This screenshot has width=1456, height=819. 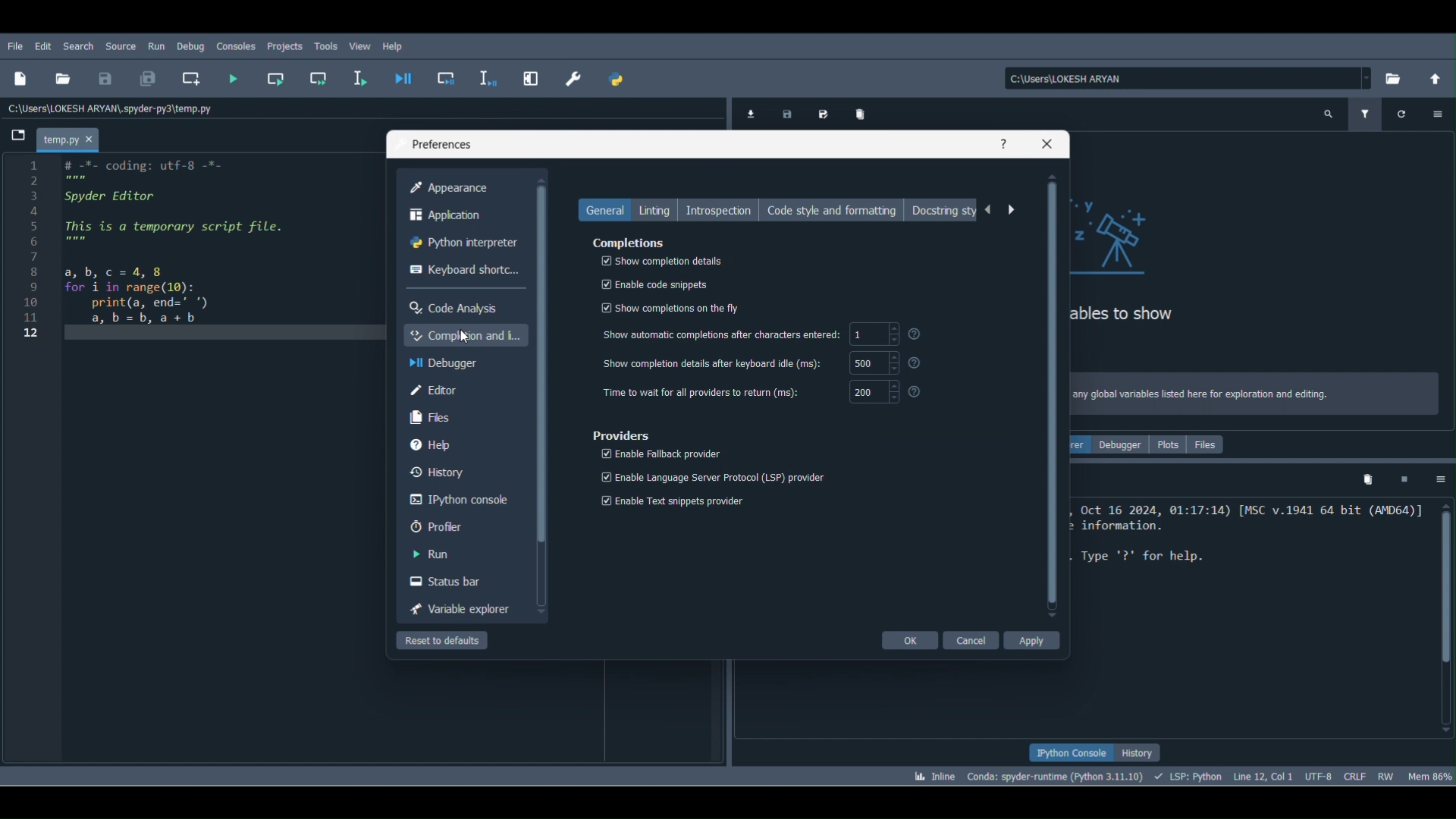 I want to click on Run current cell and go to the next one (Shift + Return), so click(x=318, y=77).